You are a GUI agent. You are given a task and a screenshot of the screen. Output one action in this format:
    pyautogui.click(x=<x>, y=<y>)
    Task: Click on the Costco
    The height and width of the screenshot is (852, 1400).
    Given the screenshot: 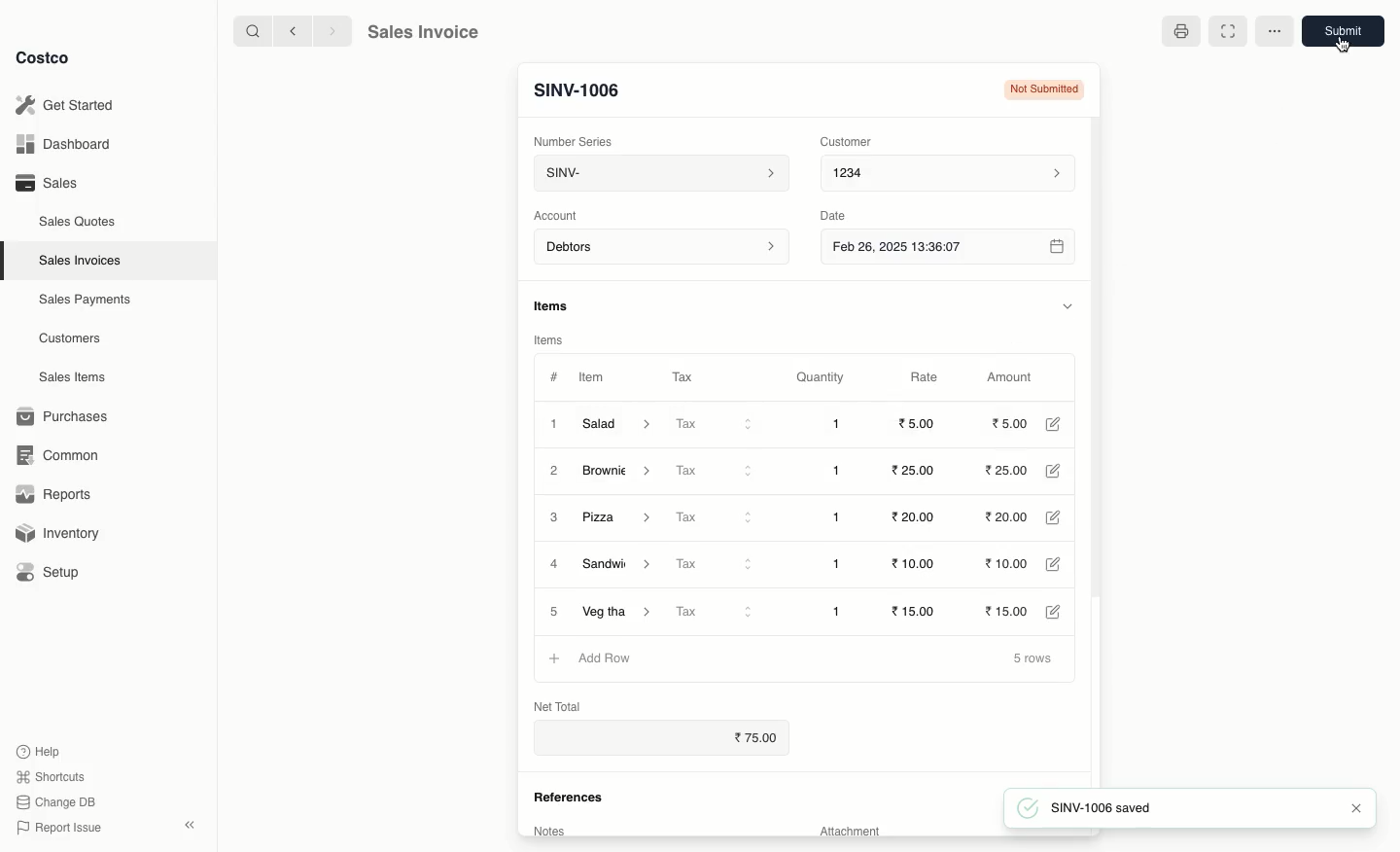 What is the action you would take?
    pyautogui.click(x=48, y=58)
    